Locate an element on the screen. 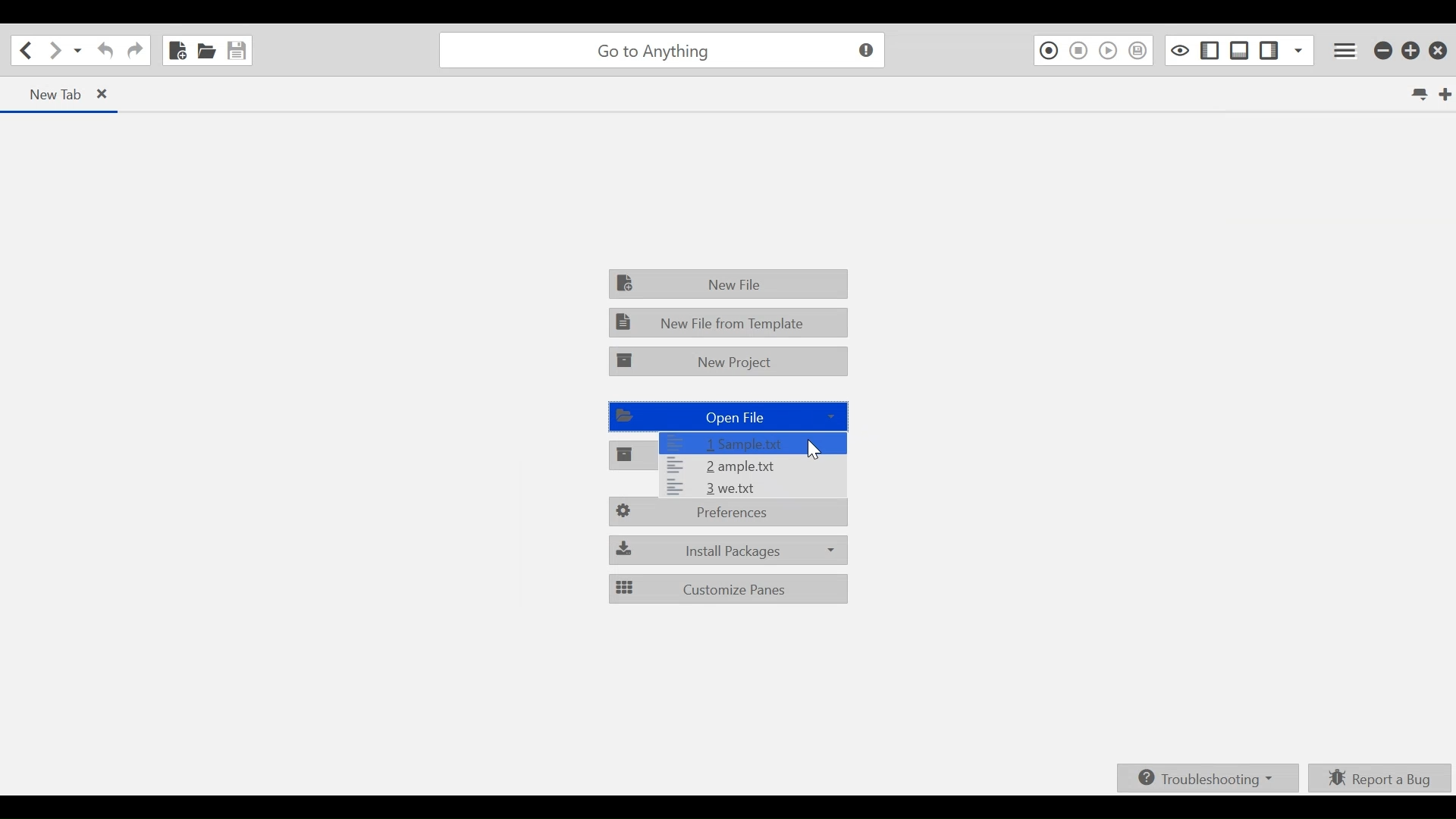  New File is located at coordinates (178, 49).